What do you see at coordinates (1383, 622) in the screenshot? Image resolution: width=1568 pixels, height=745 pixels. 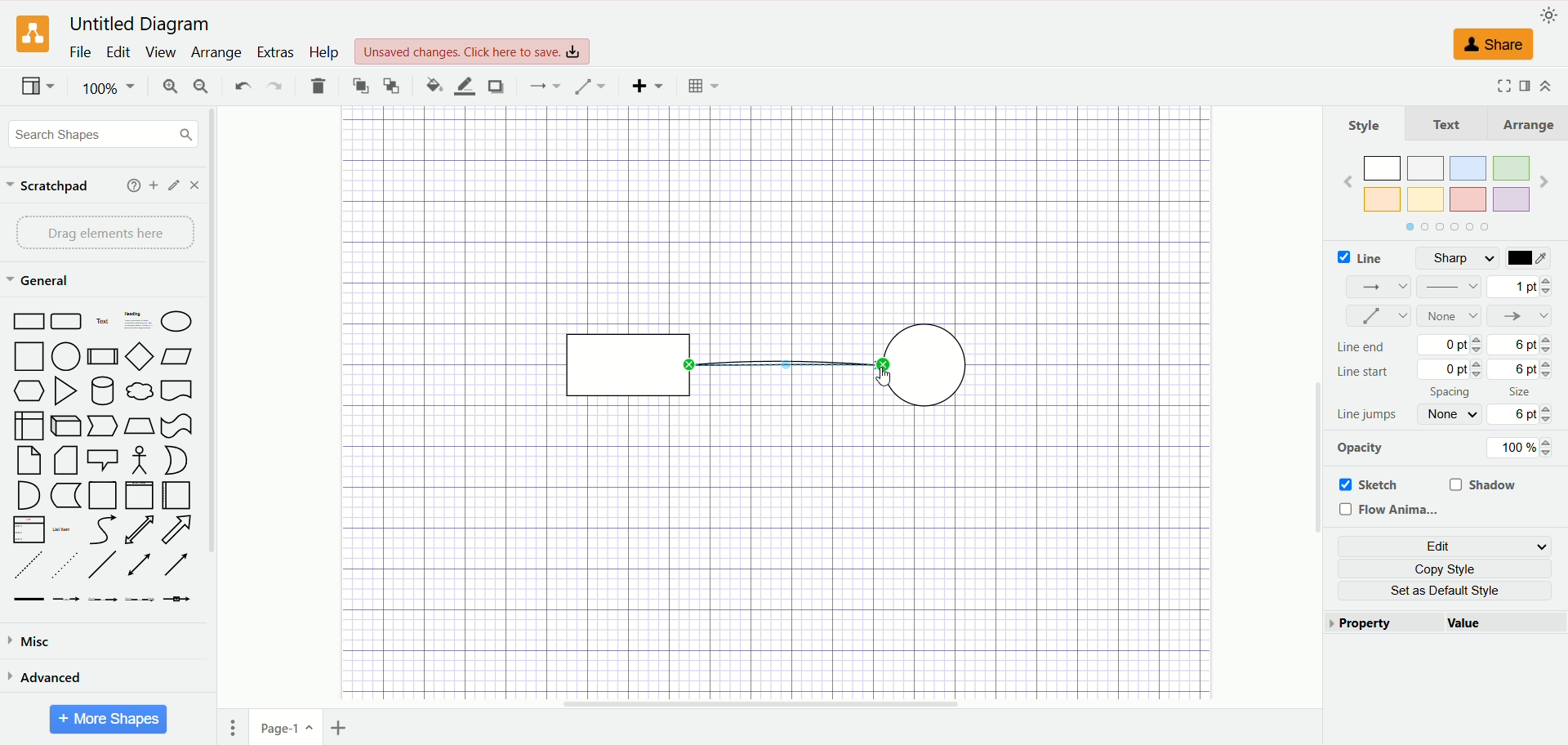 I see `property` at bounding box center [1383, 622].